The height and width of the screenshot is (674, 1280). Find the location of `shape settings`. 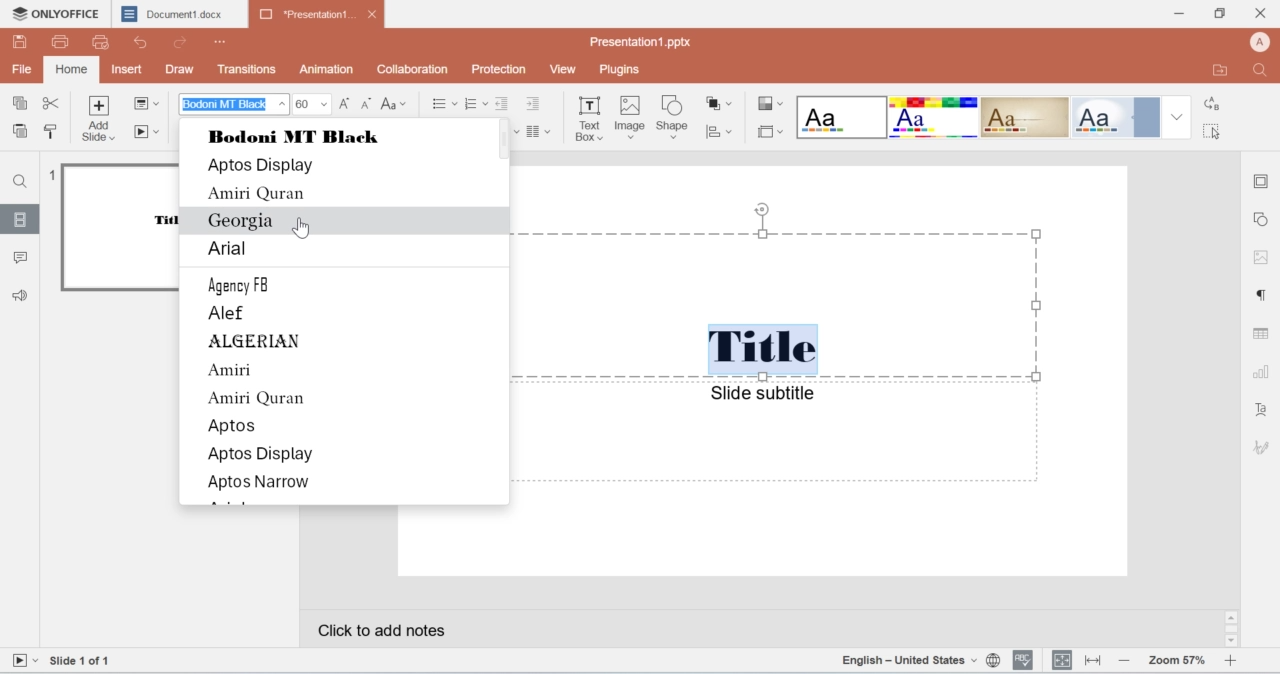

shape settings is located at coordinates (1264, 219).